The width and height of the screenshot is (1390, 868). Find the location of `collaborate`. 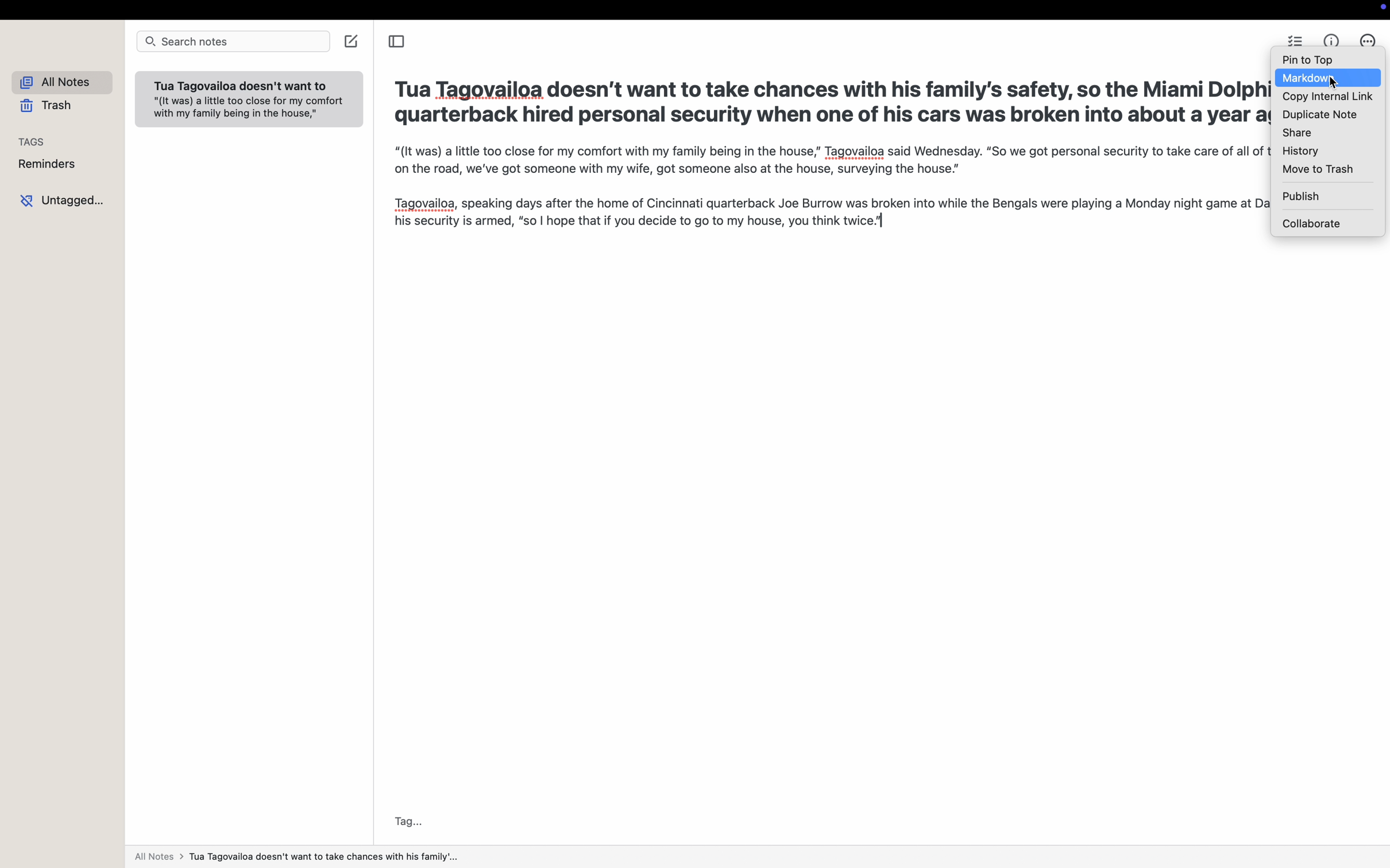

collaborate is located at coordinates (1311, 223).